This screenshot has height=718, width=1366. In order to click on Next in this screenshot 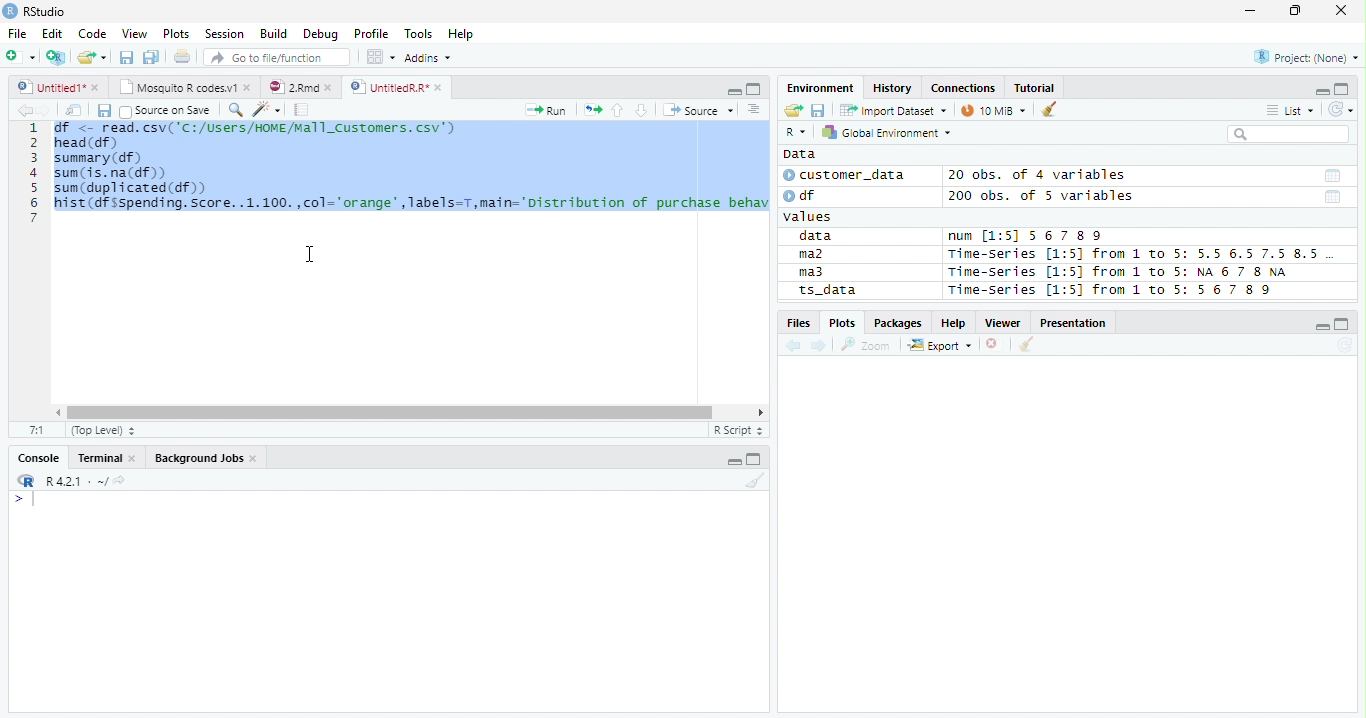, I will do `click(820, 347)`.